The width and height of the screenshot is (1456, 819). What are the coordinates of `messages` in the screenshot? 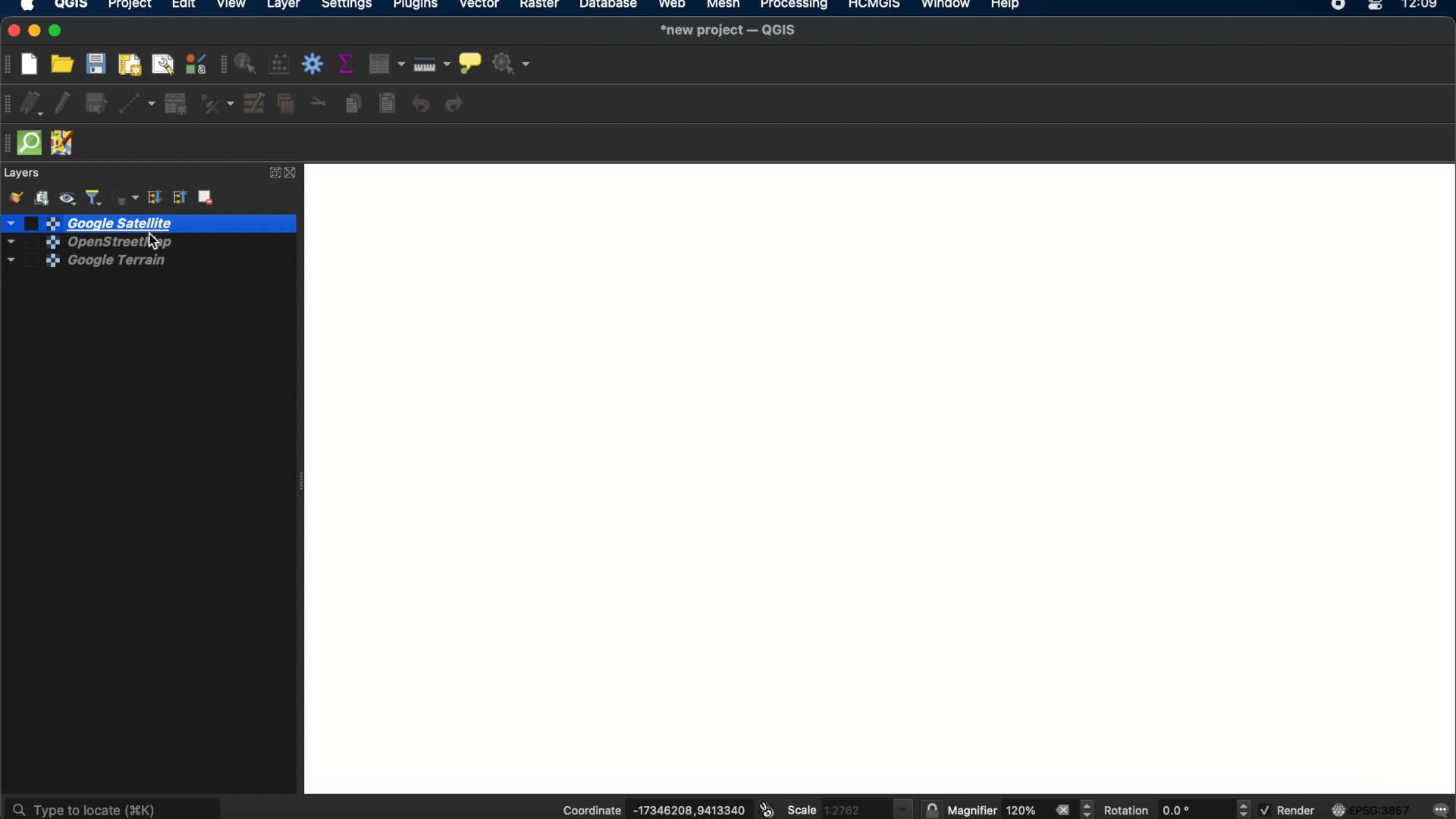 It's located at (1442, 808).